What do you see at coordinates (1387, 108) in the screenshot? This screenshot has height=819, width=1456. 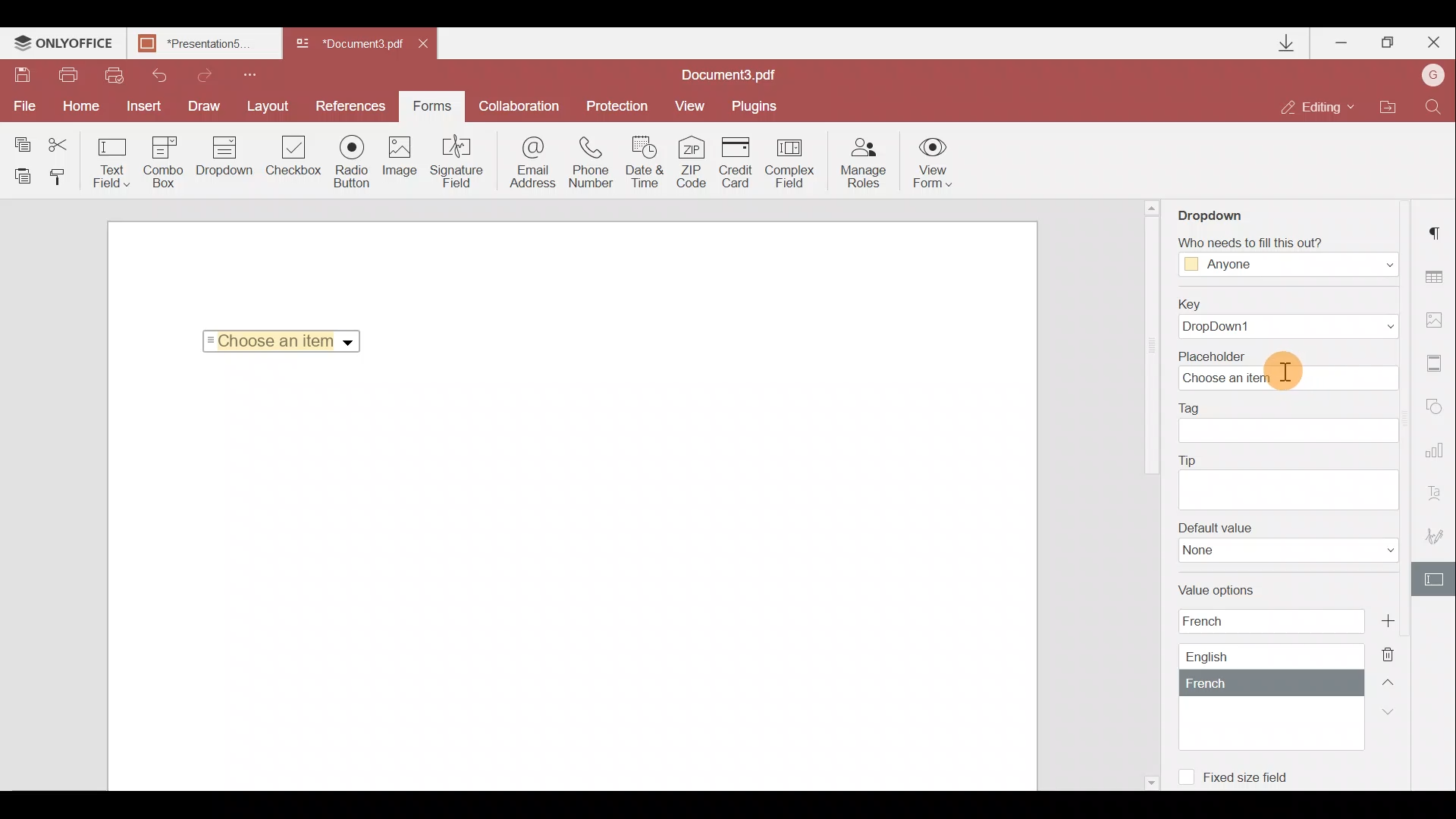 I see `Open file location` at bounding box center [1387, 108].